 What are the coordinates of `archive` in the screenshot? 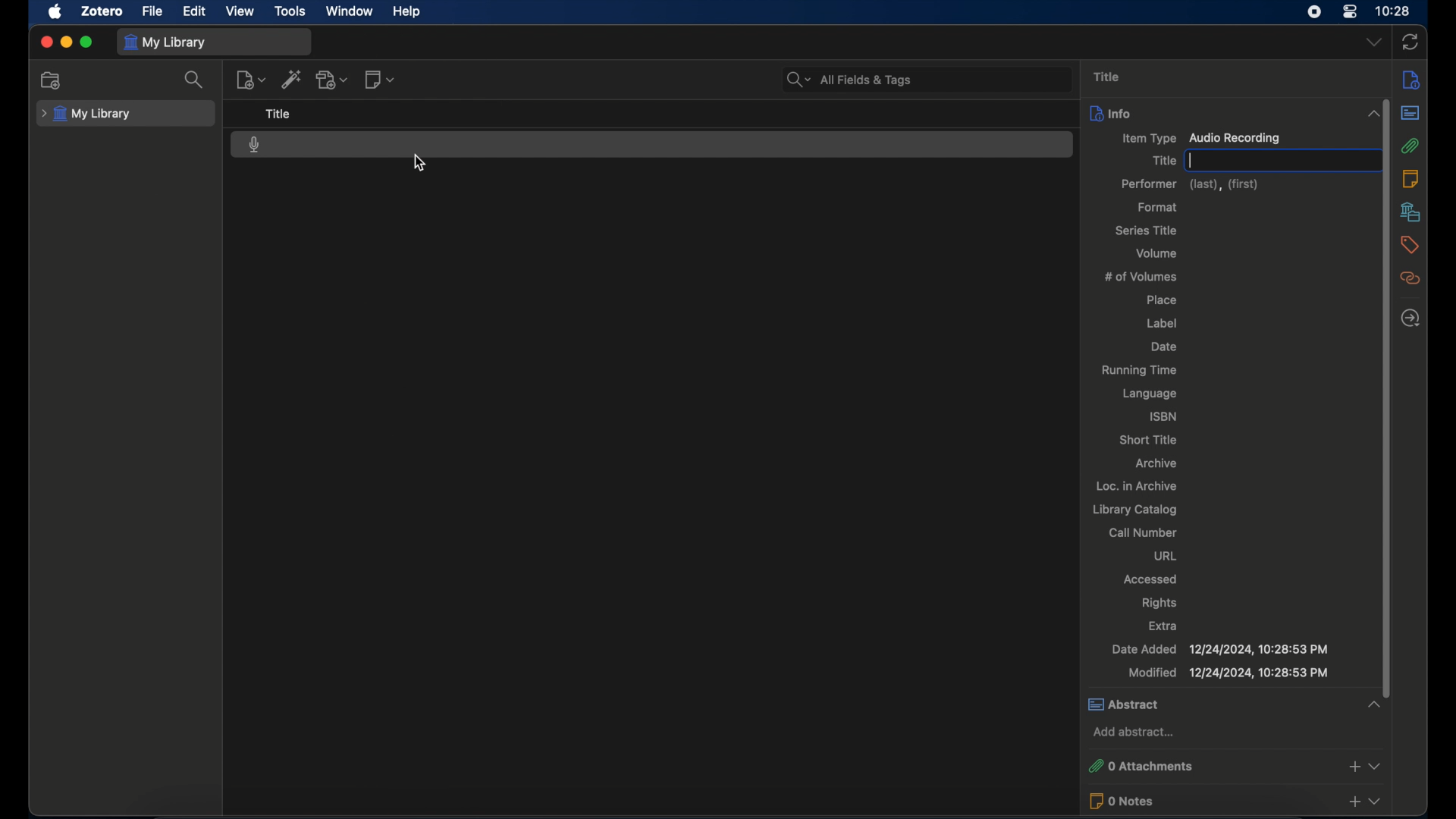 It's located at (1159, 464).